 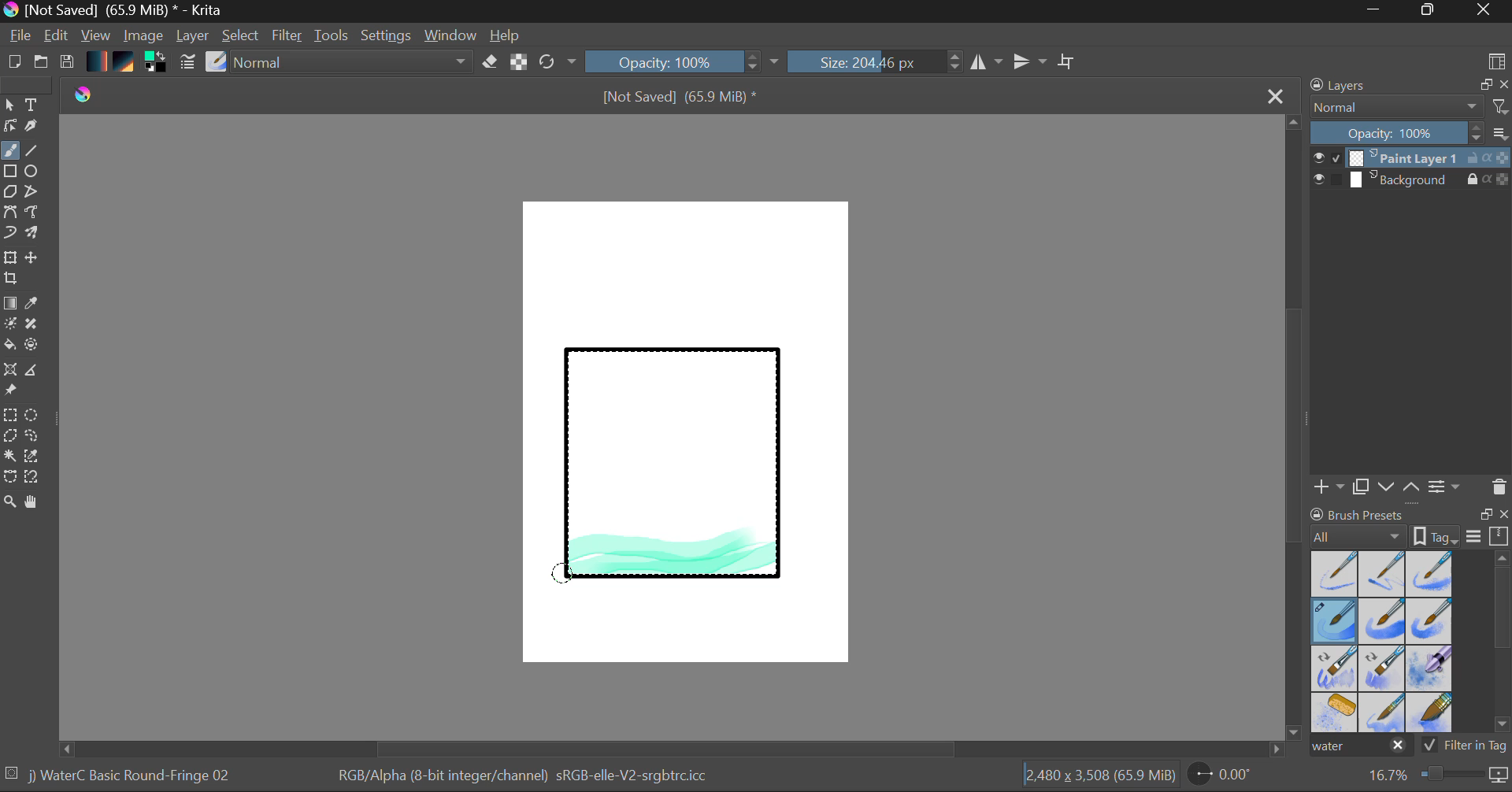 I want to click on Pan, so click(x=37, y=505).